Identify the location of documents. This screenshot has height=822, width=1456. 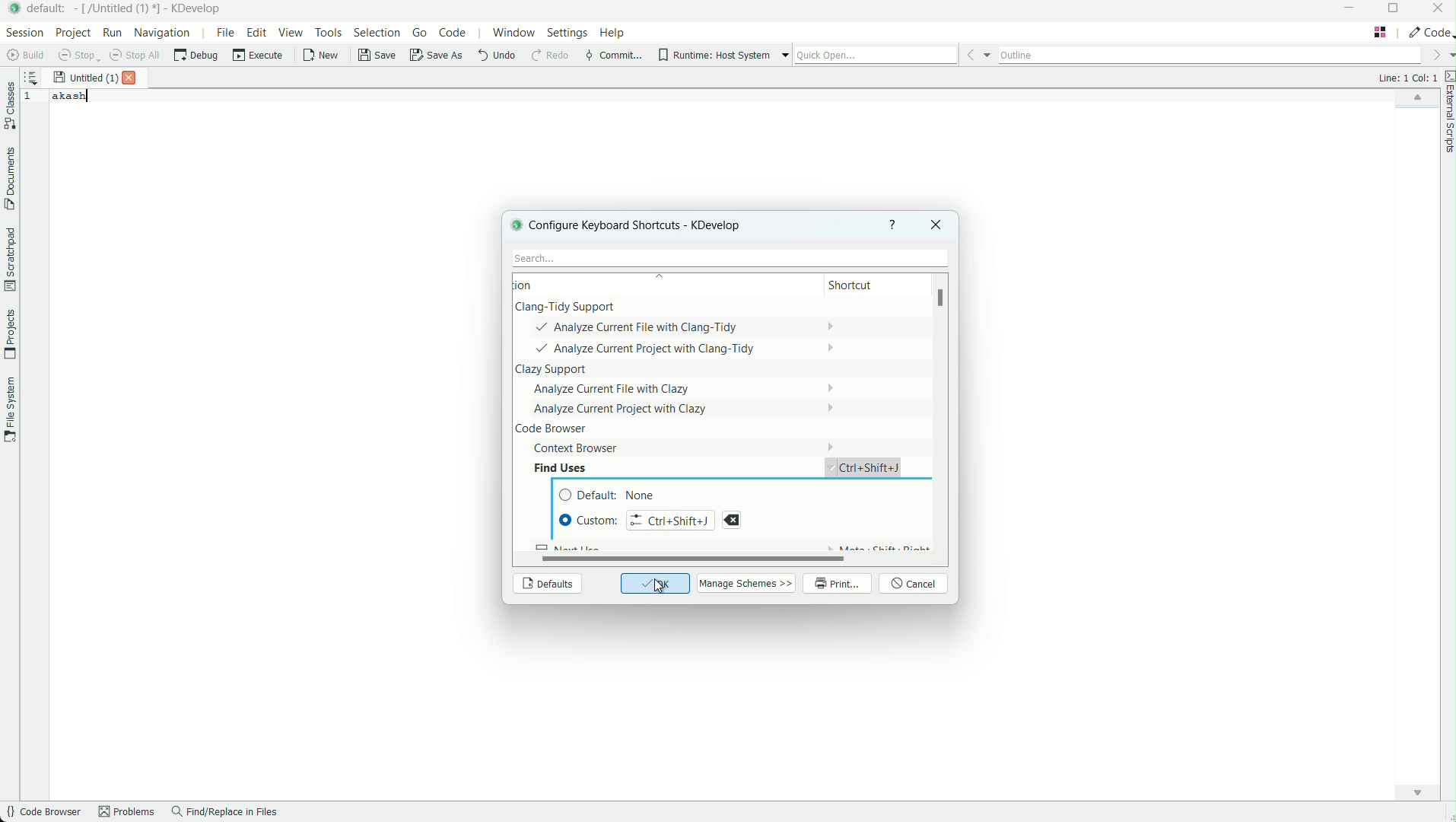
(9, 179).